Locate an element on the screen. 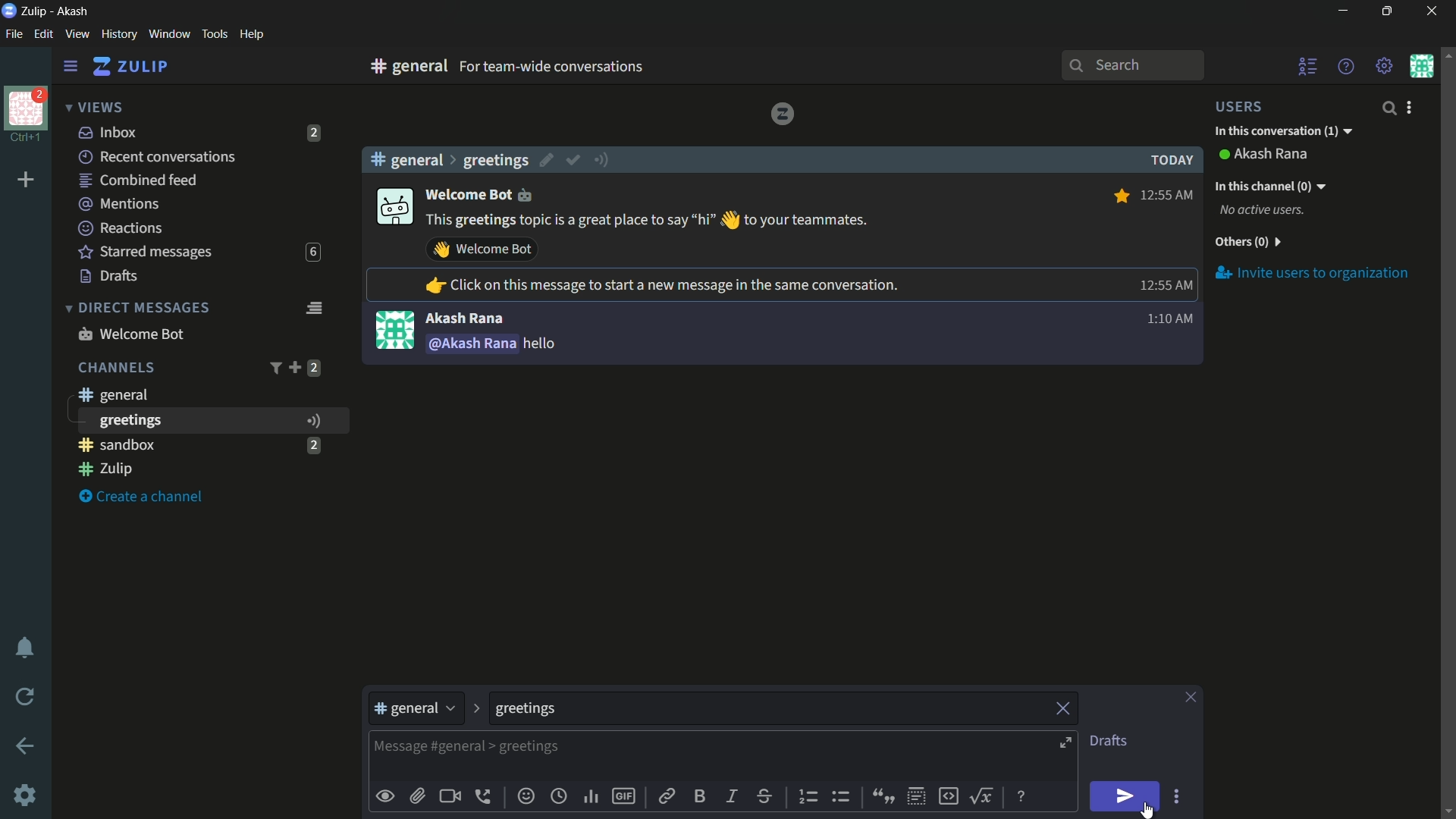 The width and height of the screenshot is (1456, 819). create a channel is located at coordinates (145, 497).